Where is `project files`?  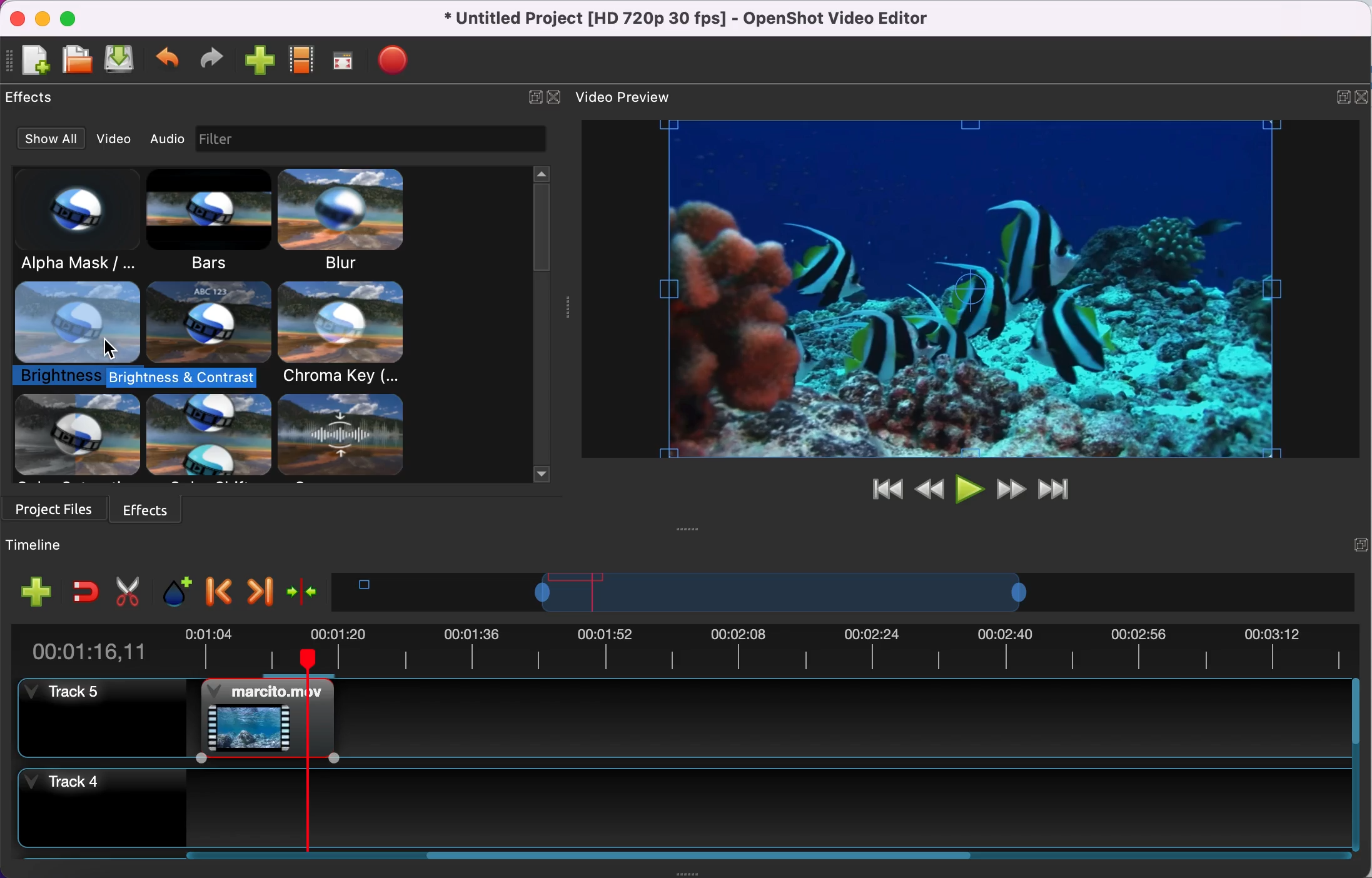 project files is located at coordinates (55, 508).